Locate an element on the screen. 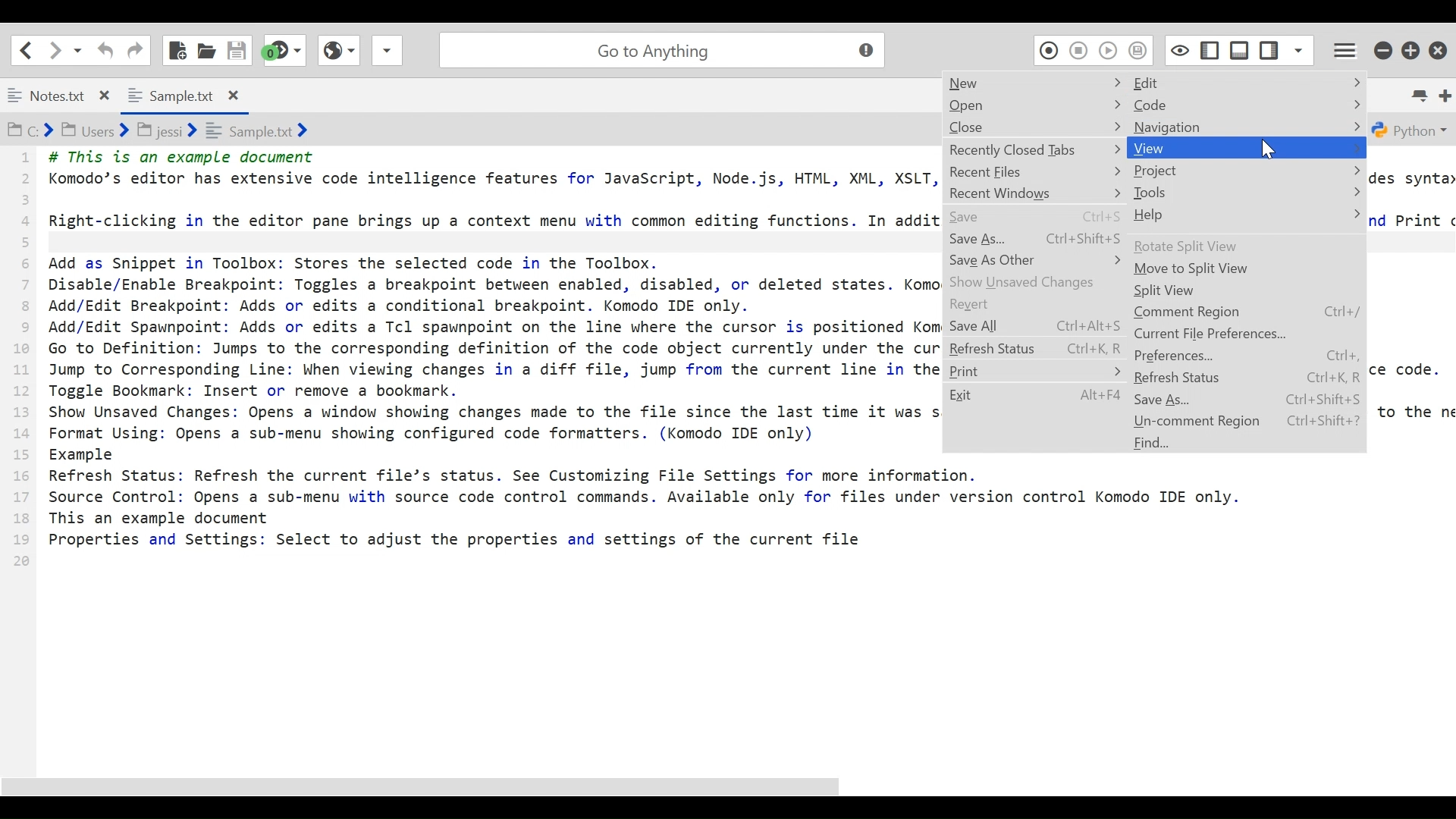 The height and width of the screenshot is (819, 1456). C:> Users> jessi> sample.txt> is located at coordinates (178, 131).